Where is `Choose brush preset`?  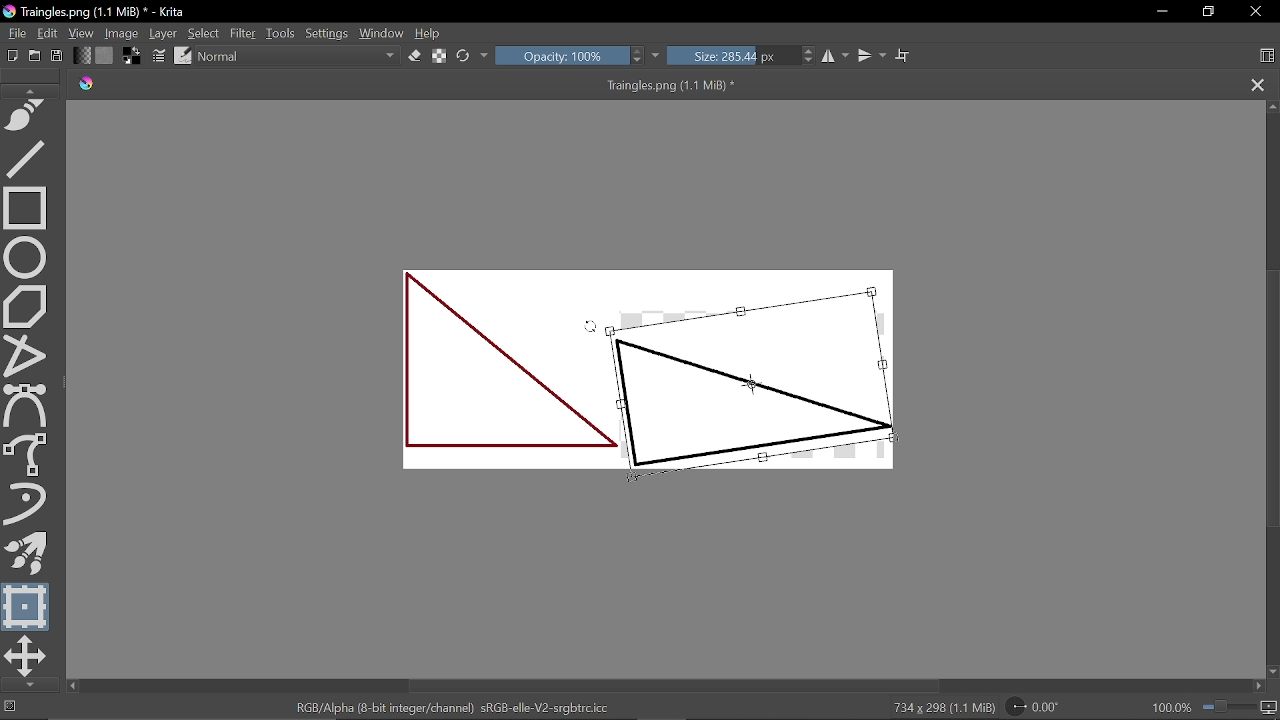
Choose brush preset is located at coordinates (183, 55).